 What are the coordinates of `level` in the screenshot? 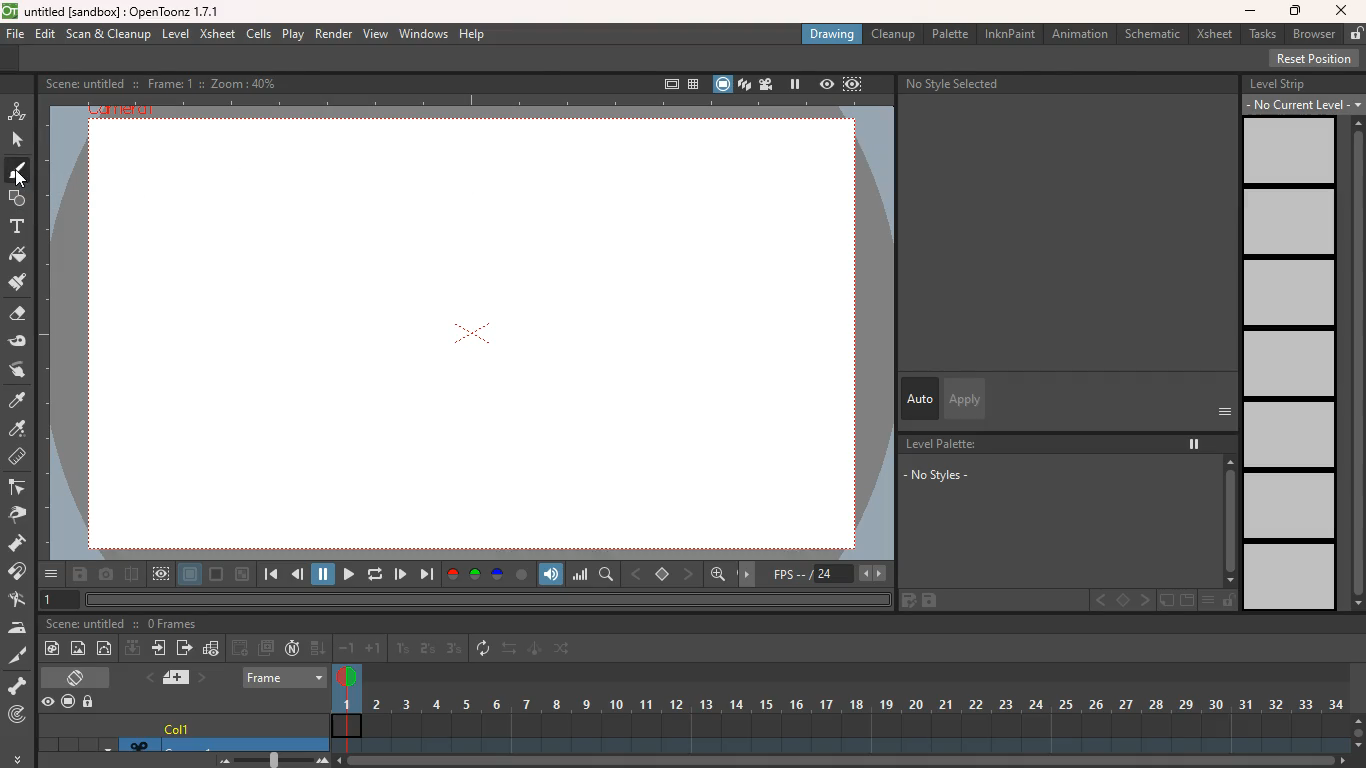 It's located at (1288, 224).